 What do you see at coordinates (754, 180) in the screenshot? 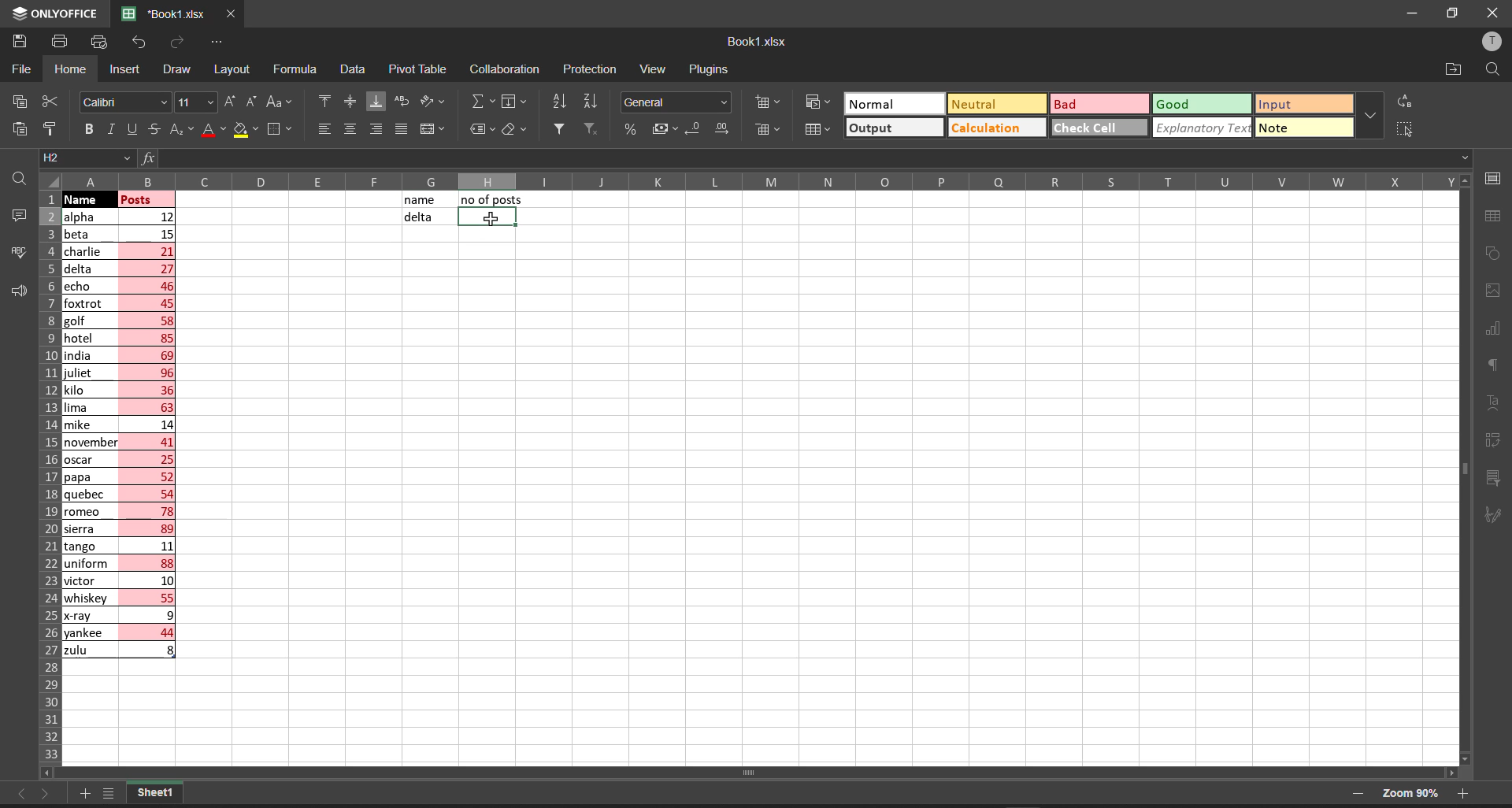
I see `column names` at bounding box center [754, 180].